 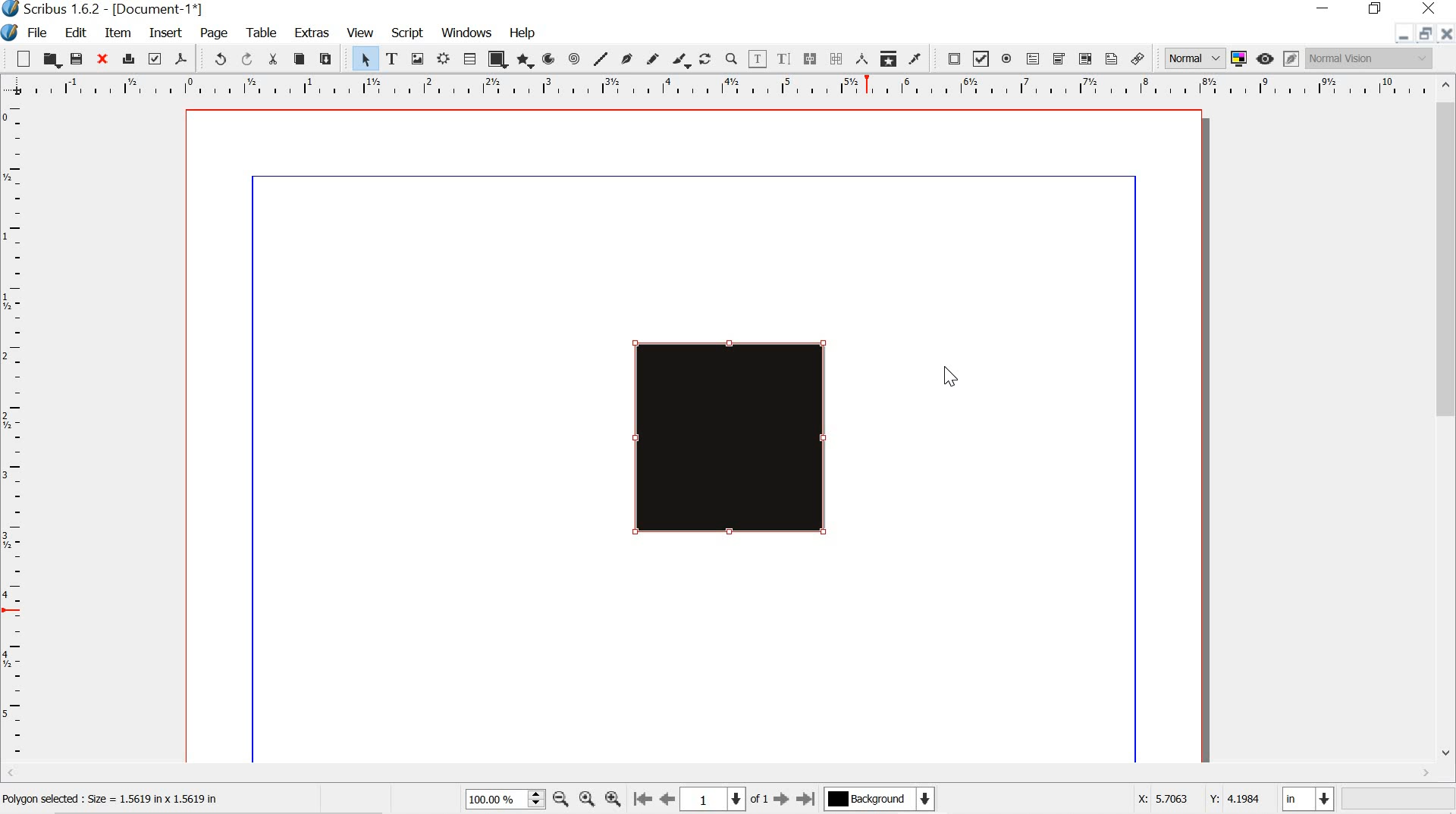 I want to click on freehand line, so click(x=652, y=58).